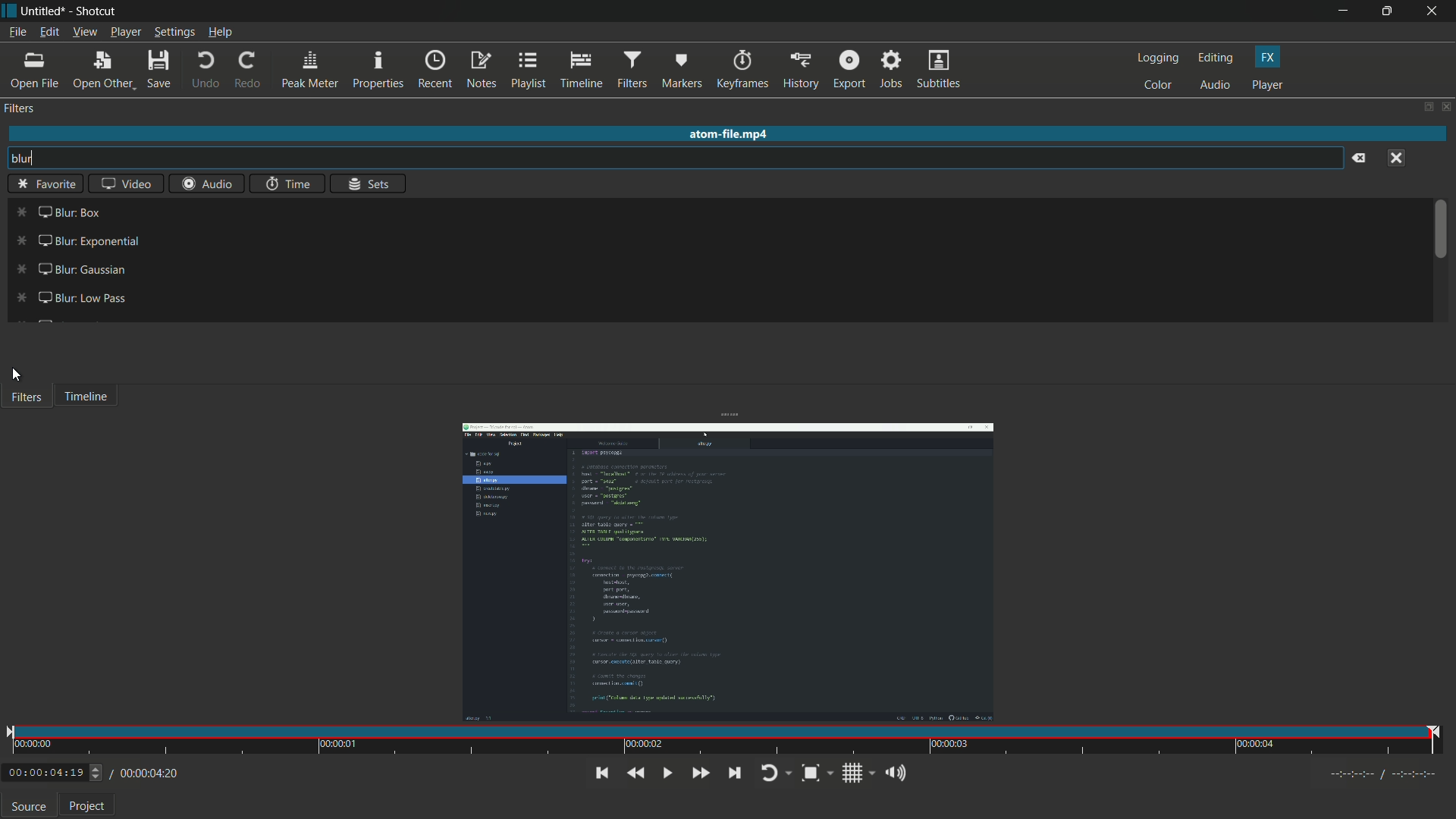 This screenshot has height=819, width=1456. Describe the element at coordinates (896, 773) in the screenshot. I see `show the volume control` at that location.